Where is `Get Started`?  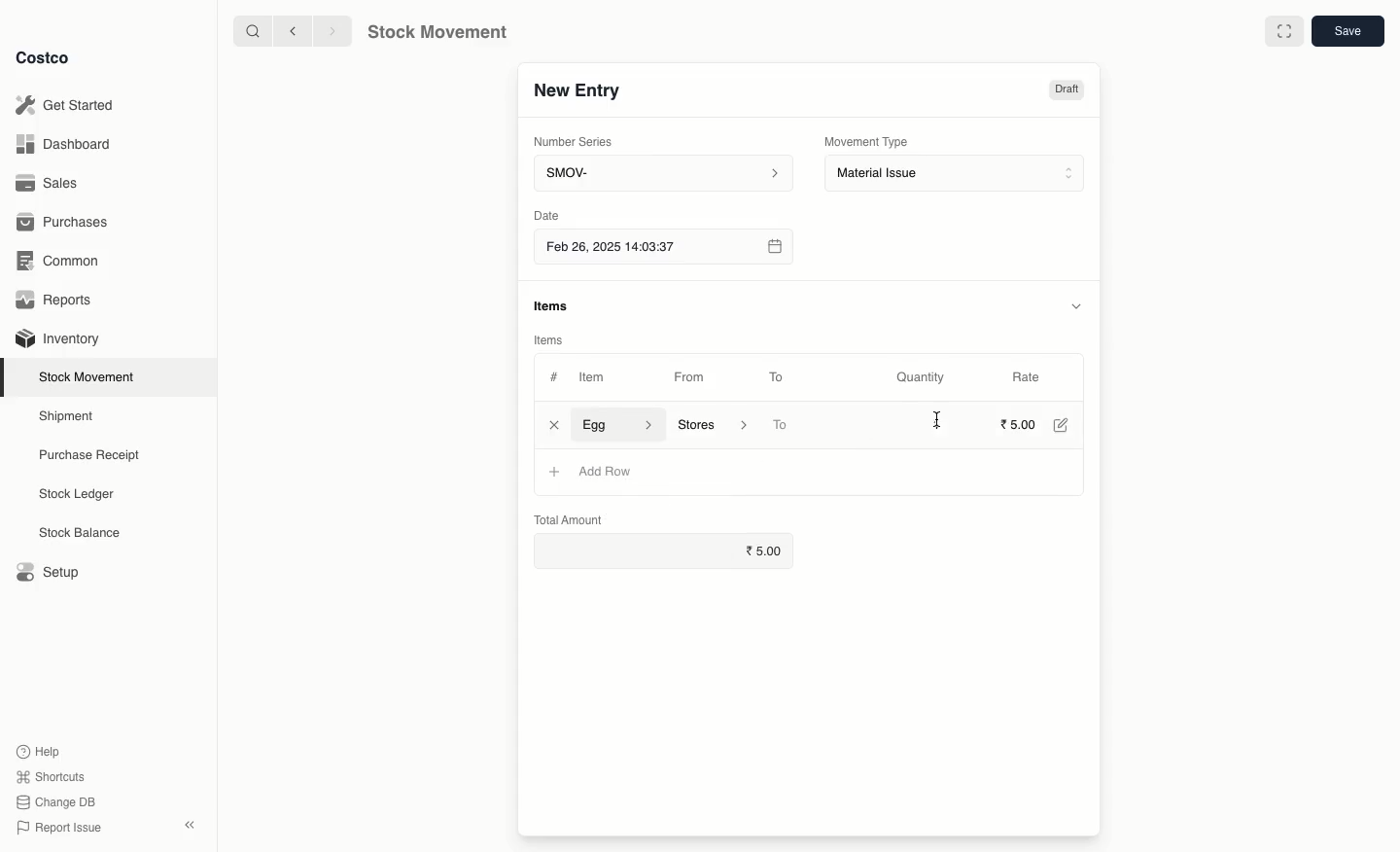 Get Started is located at coordinates (69, 104).